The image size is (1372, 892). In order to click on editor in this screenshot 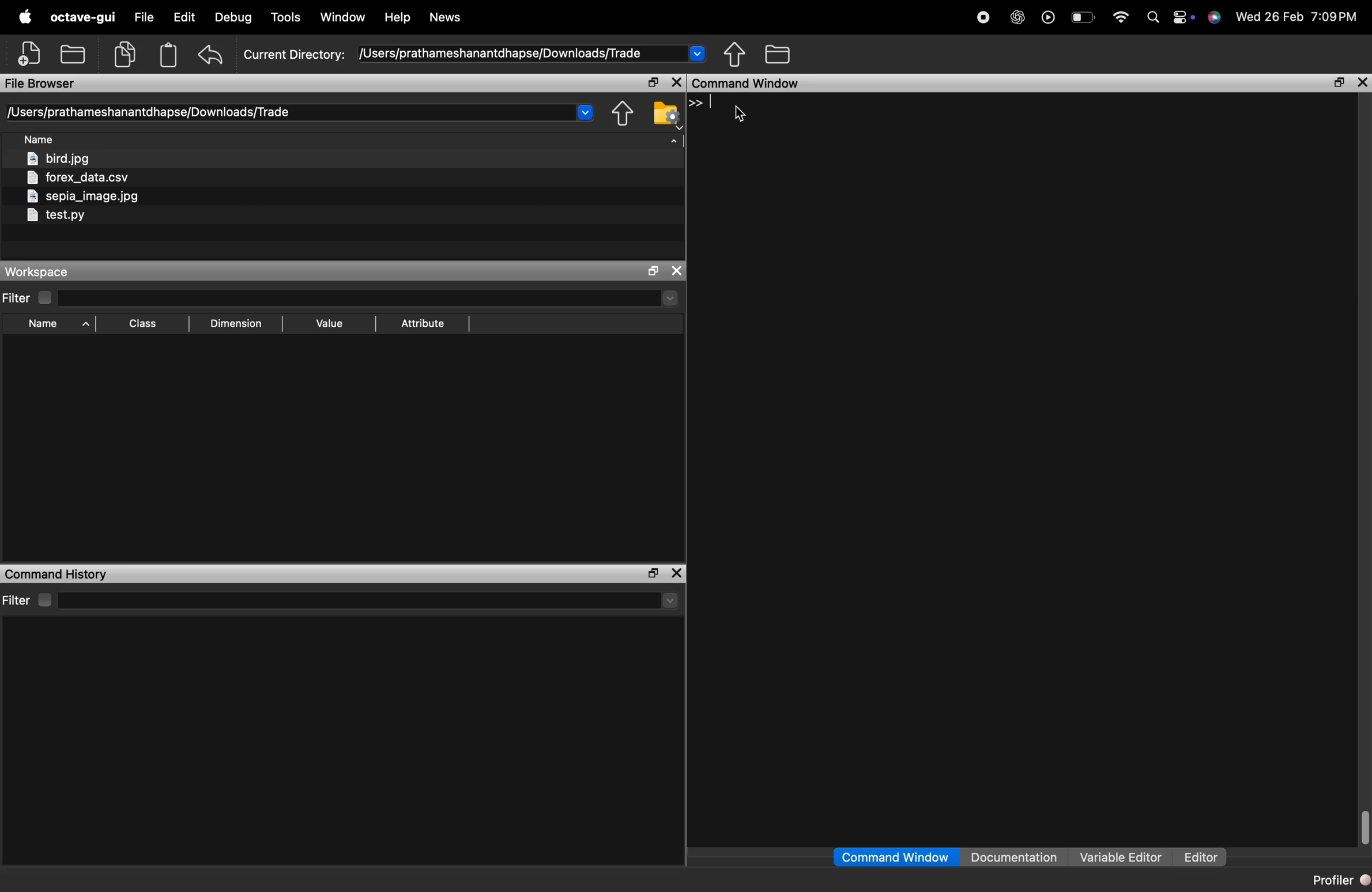, I will do `click(1201, 858)`.